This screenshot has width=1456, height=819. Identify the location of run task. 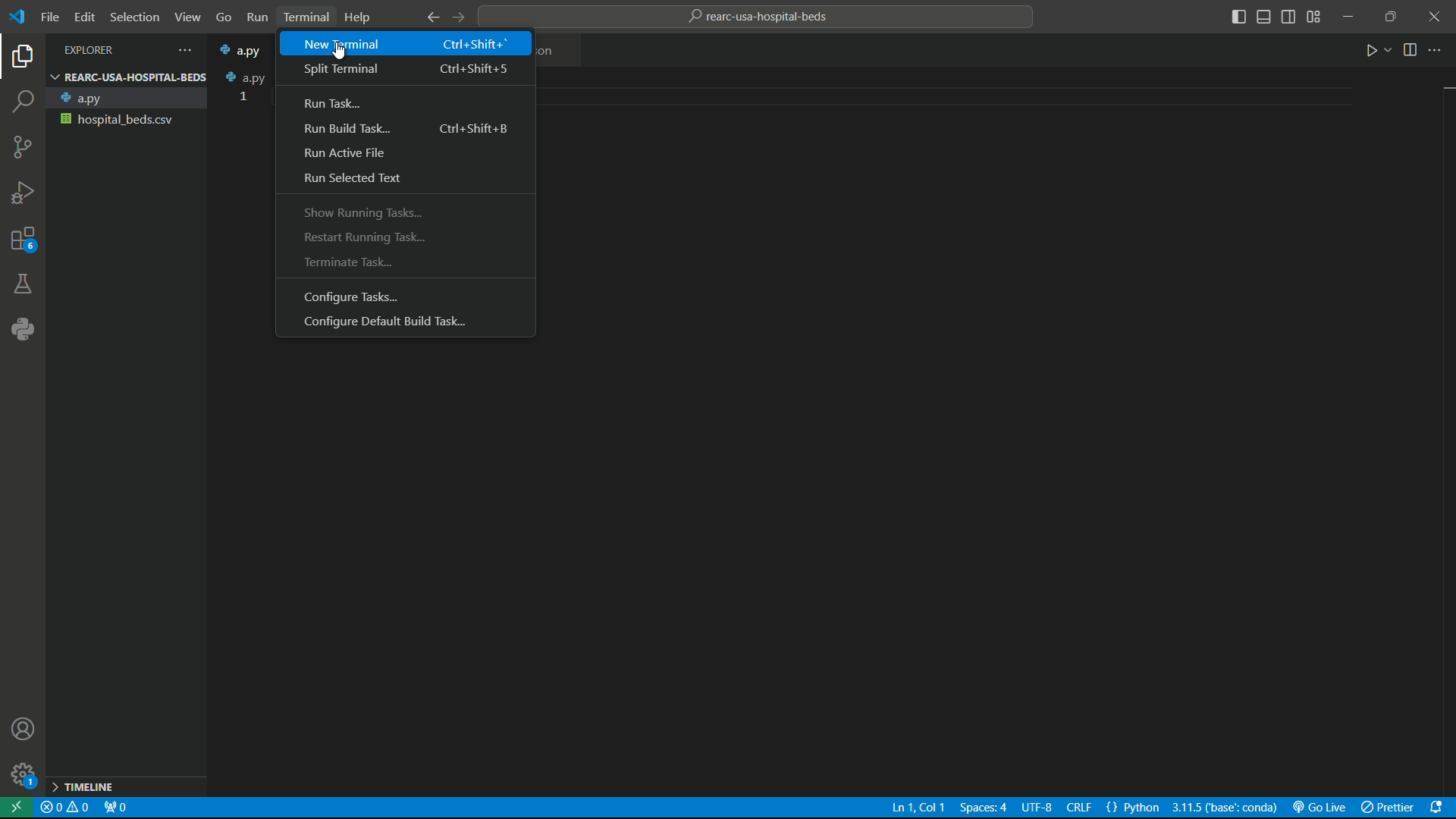
(405, 101).